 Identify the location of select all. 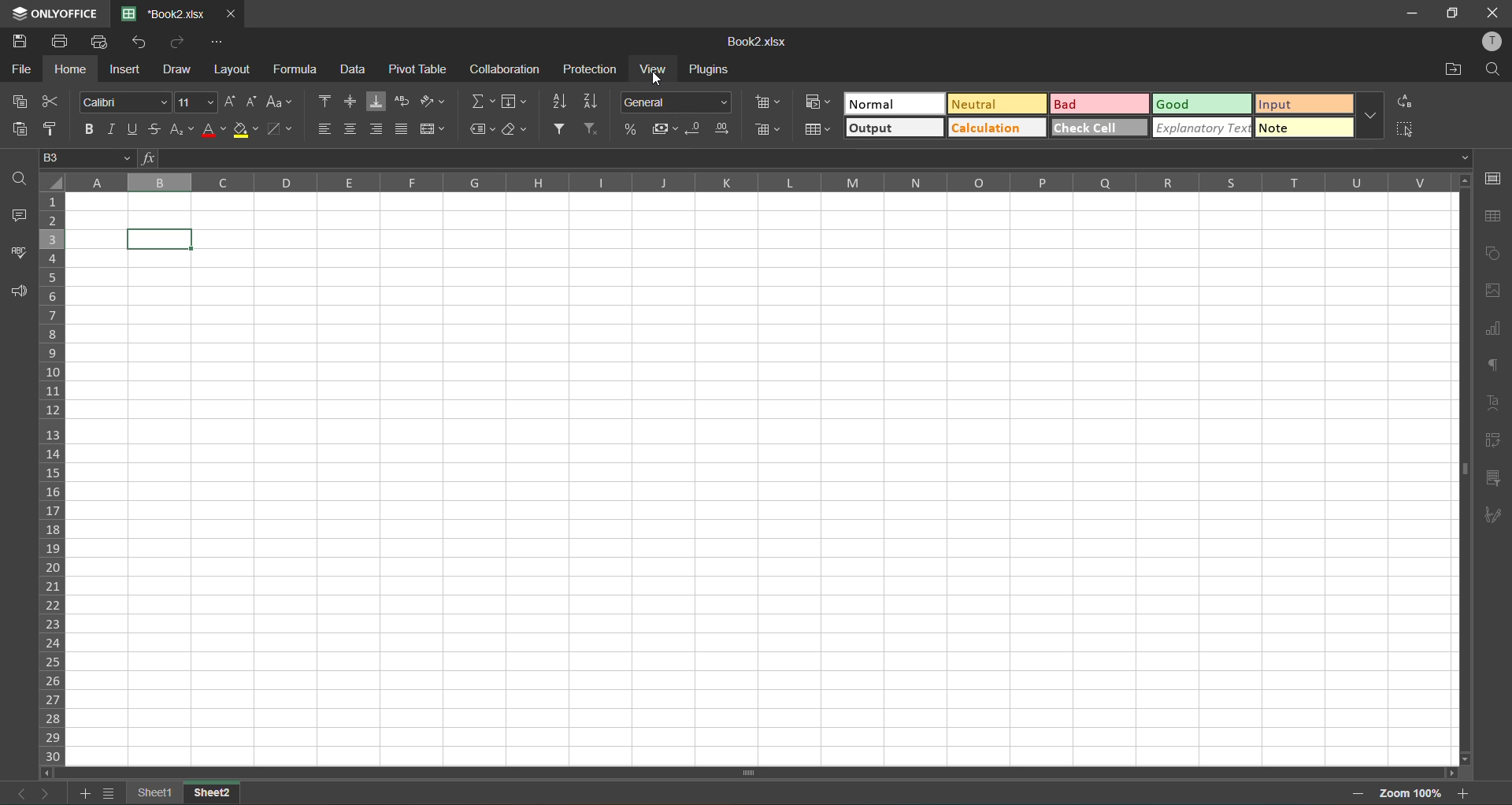
(1403, 124).